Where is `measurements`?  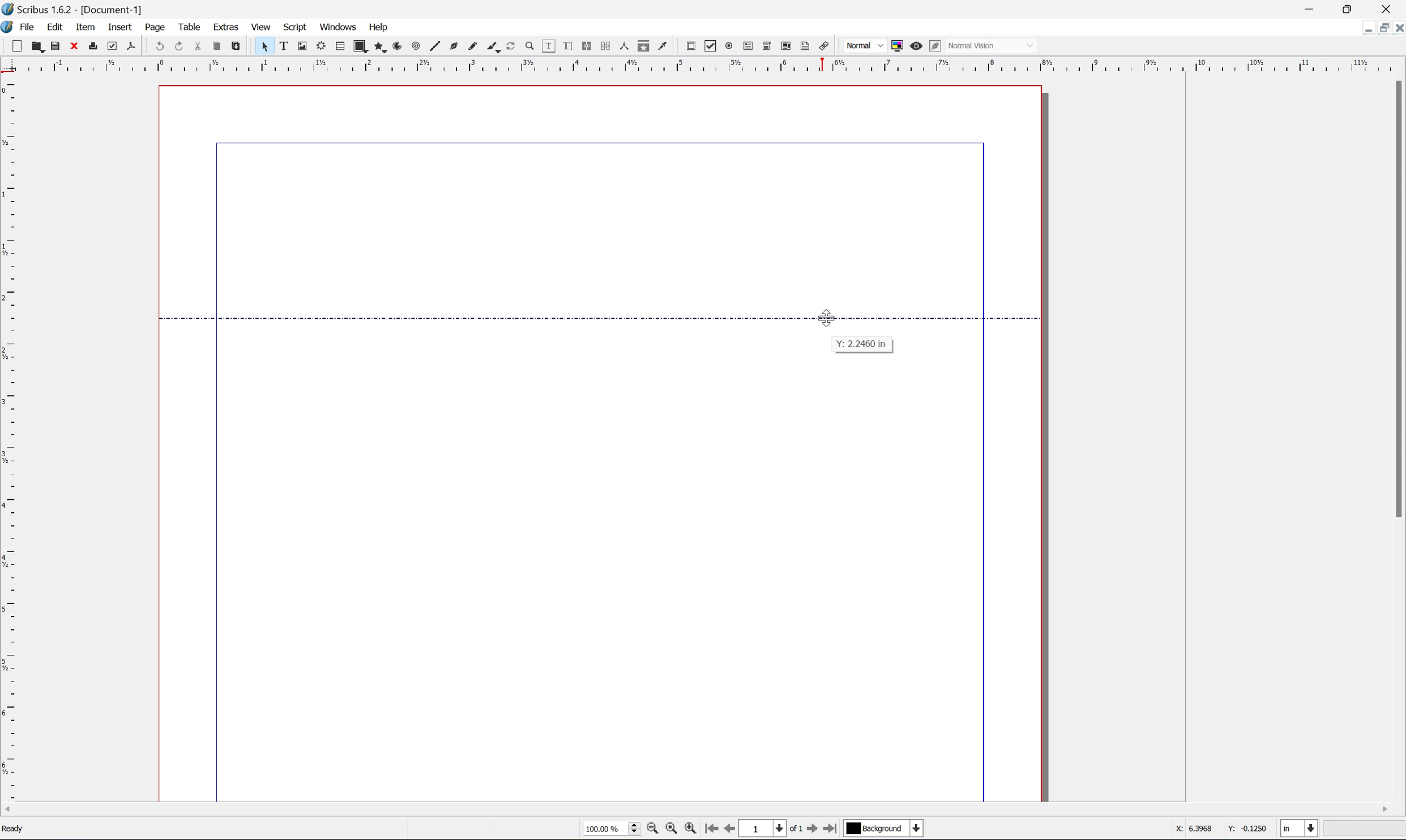
measurements is located at coordinates (625, 46).